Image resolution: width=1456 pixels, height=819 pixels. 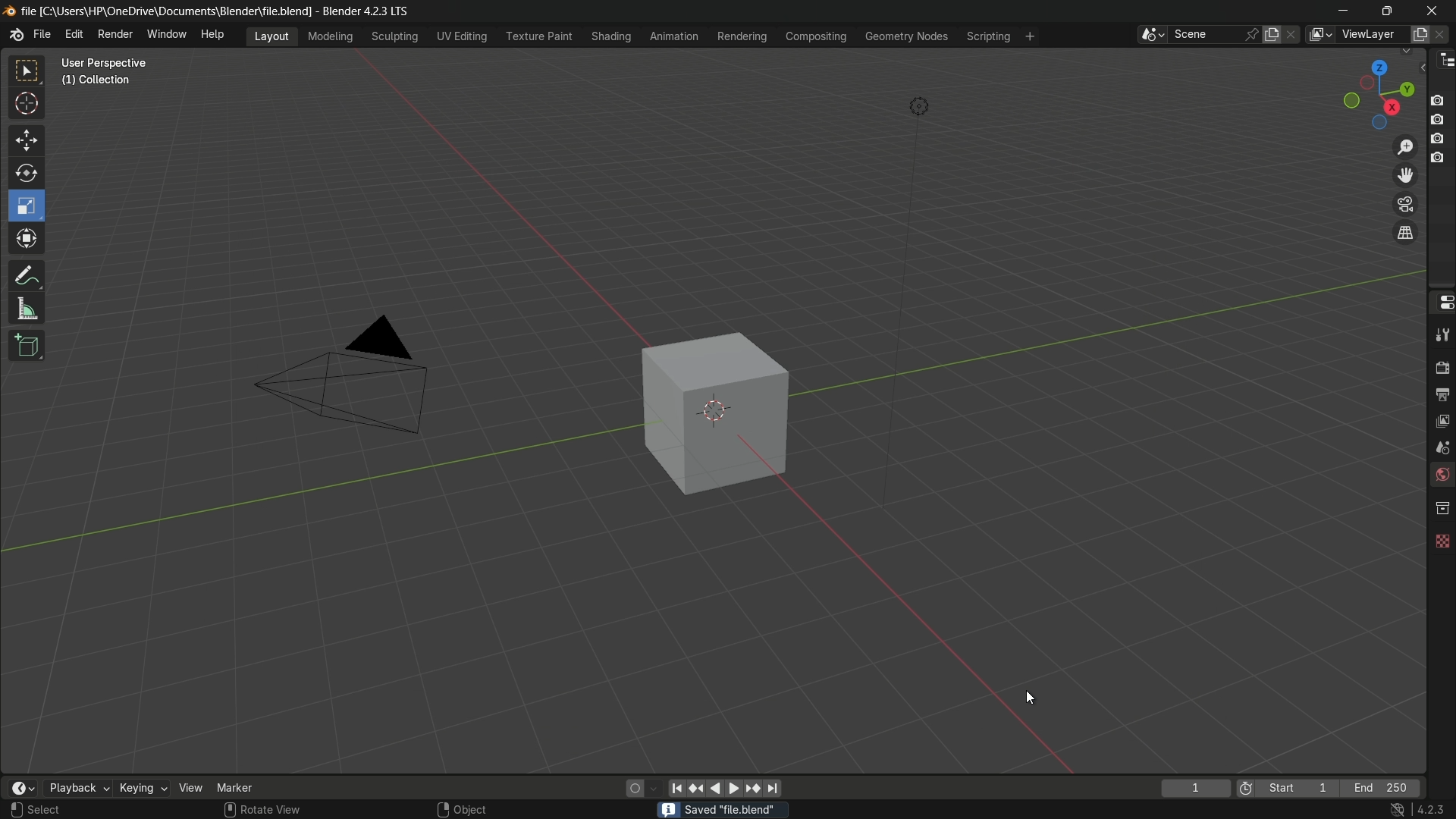 What do you see at coordinates (817, 36) in the screenshot?
I see `compositing menu` at bounding box center [817, 36].